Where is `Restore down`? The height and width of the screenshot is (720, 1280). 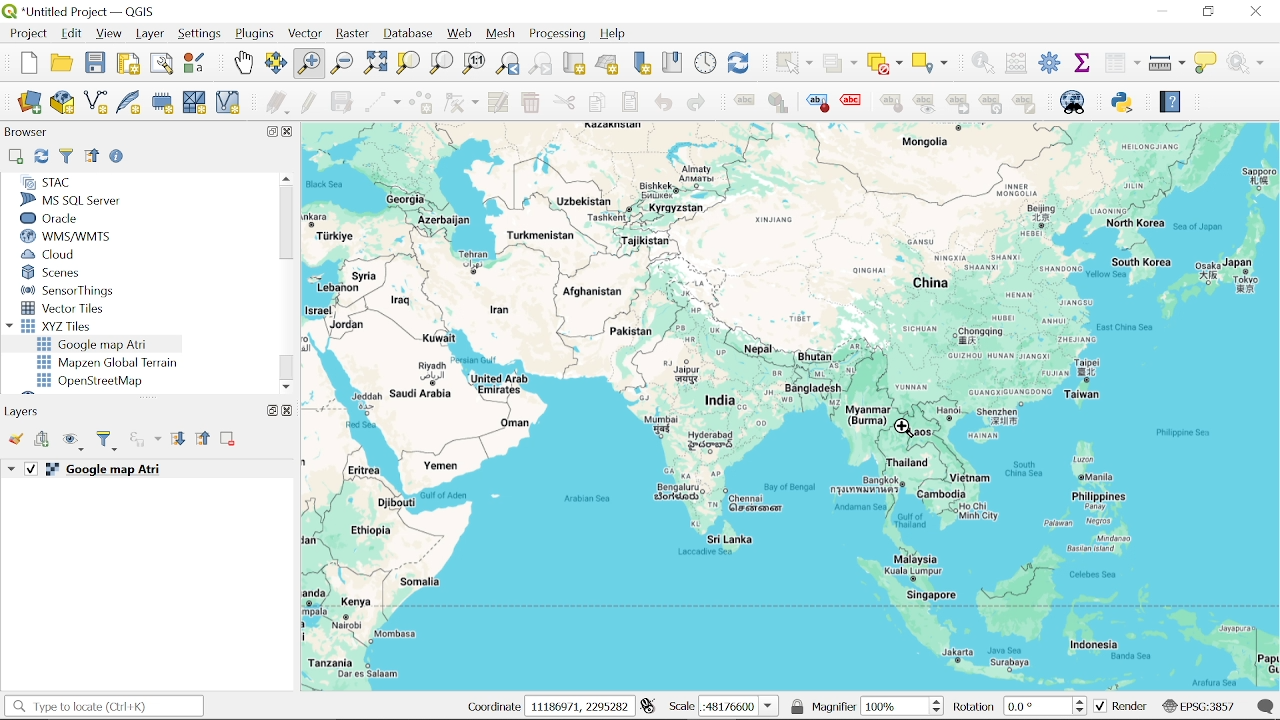 Restore down is located at coordinates (269, 131).